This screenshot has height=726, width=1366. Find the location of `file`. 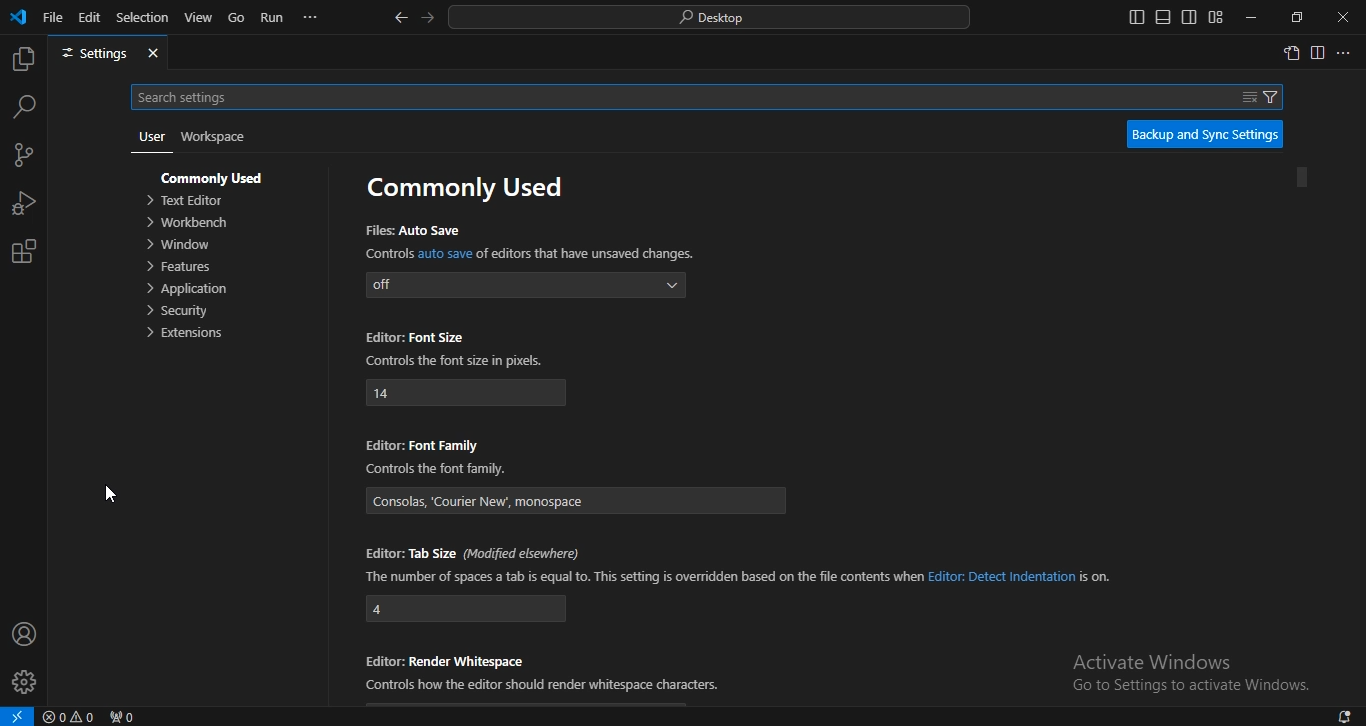

file is located at coordinates (54, 21).